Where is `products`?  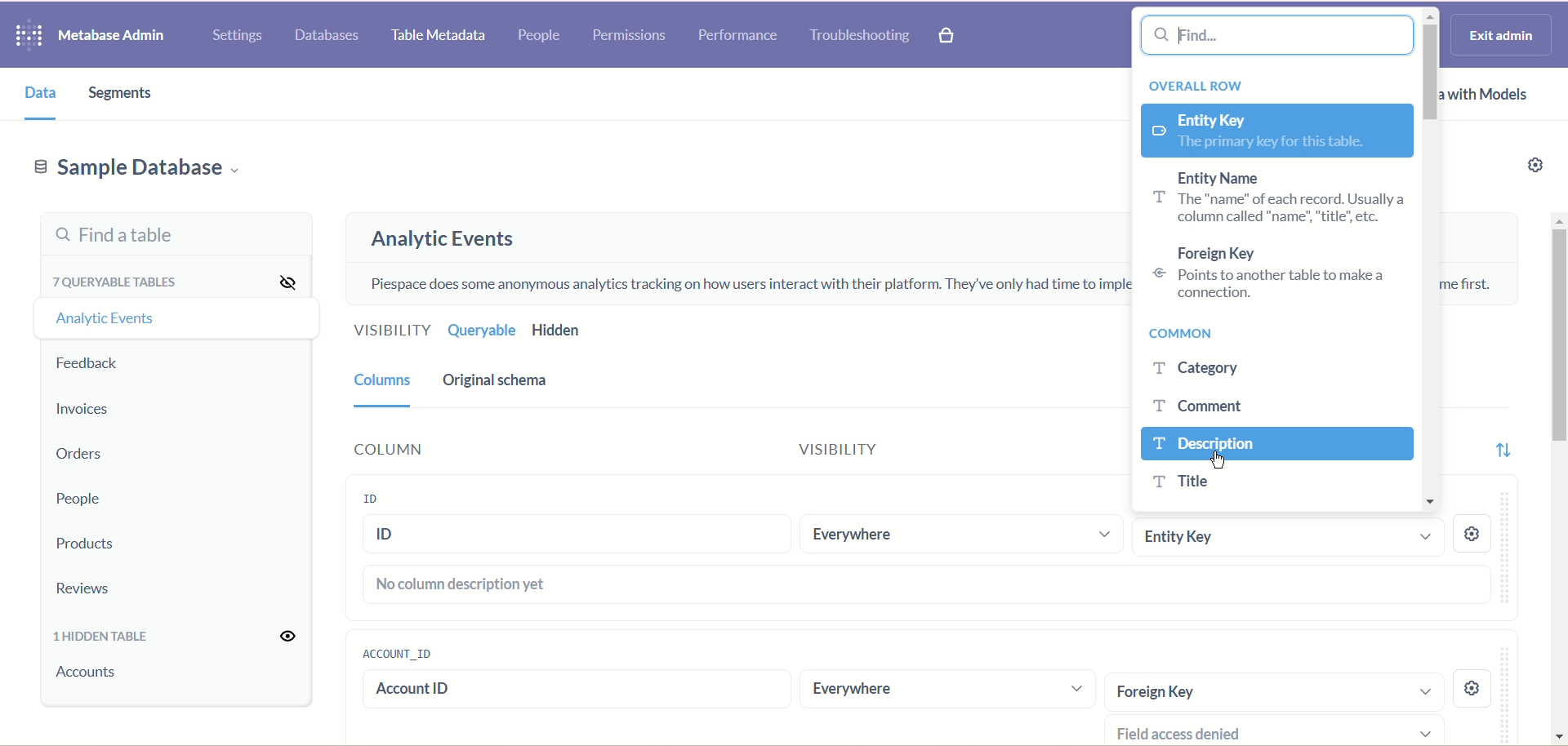 products is located at coordinates (87, 545).